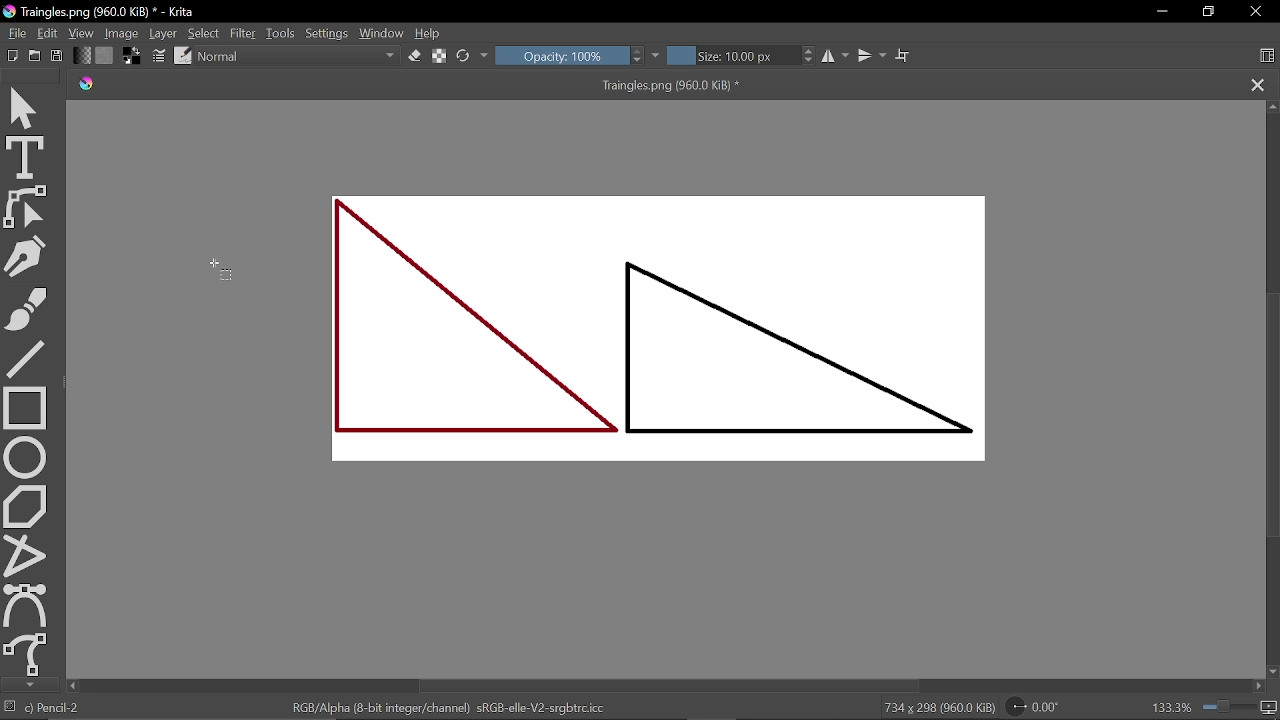  Describe the element at coordinates (58, 707) in the screenshot. I see `Pencil-2` at that location.